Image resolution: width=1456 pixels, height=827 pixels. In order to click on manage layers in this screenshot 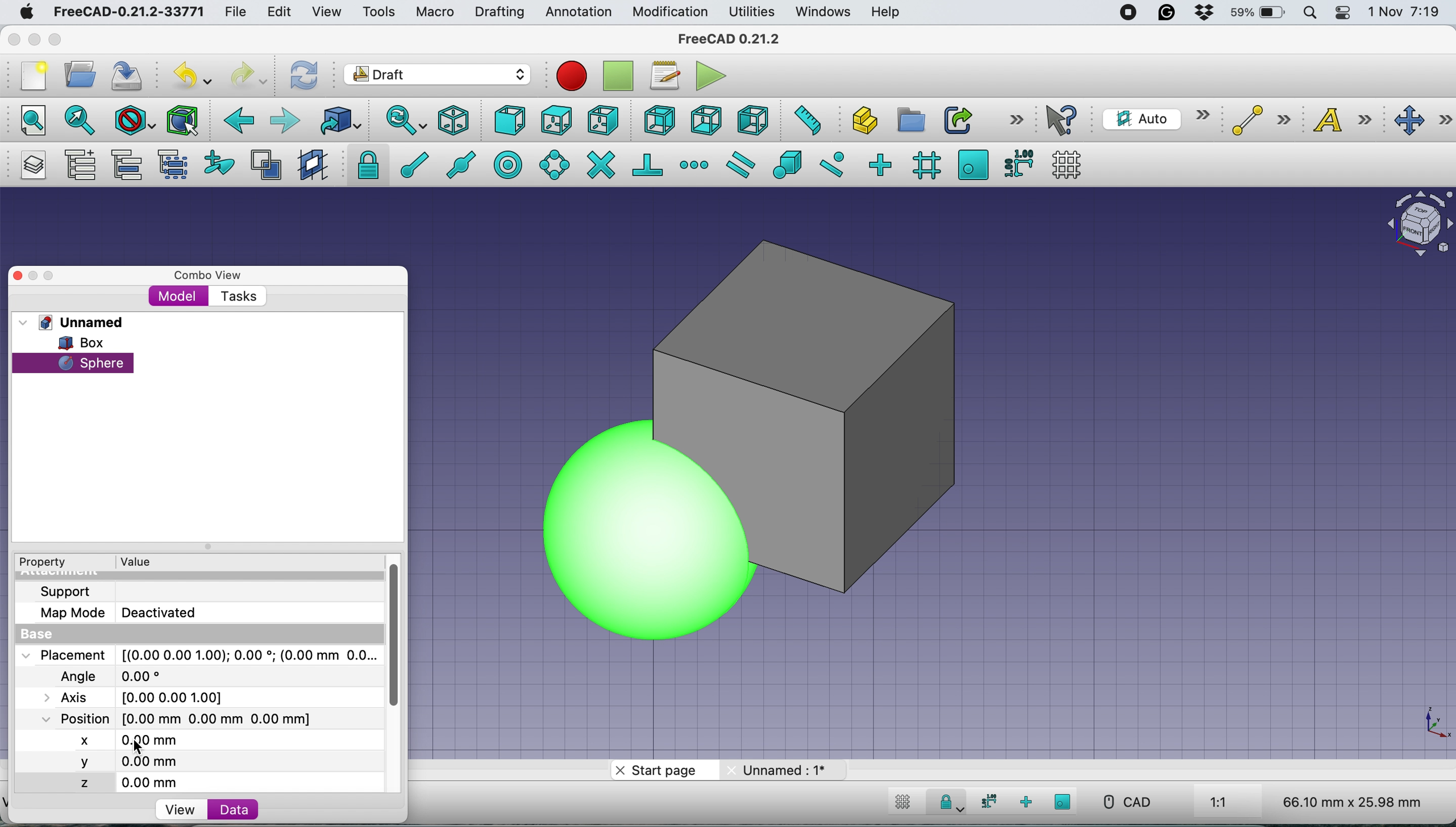, I will do `click(30, 165)`.